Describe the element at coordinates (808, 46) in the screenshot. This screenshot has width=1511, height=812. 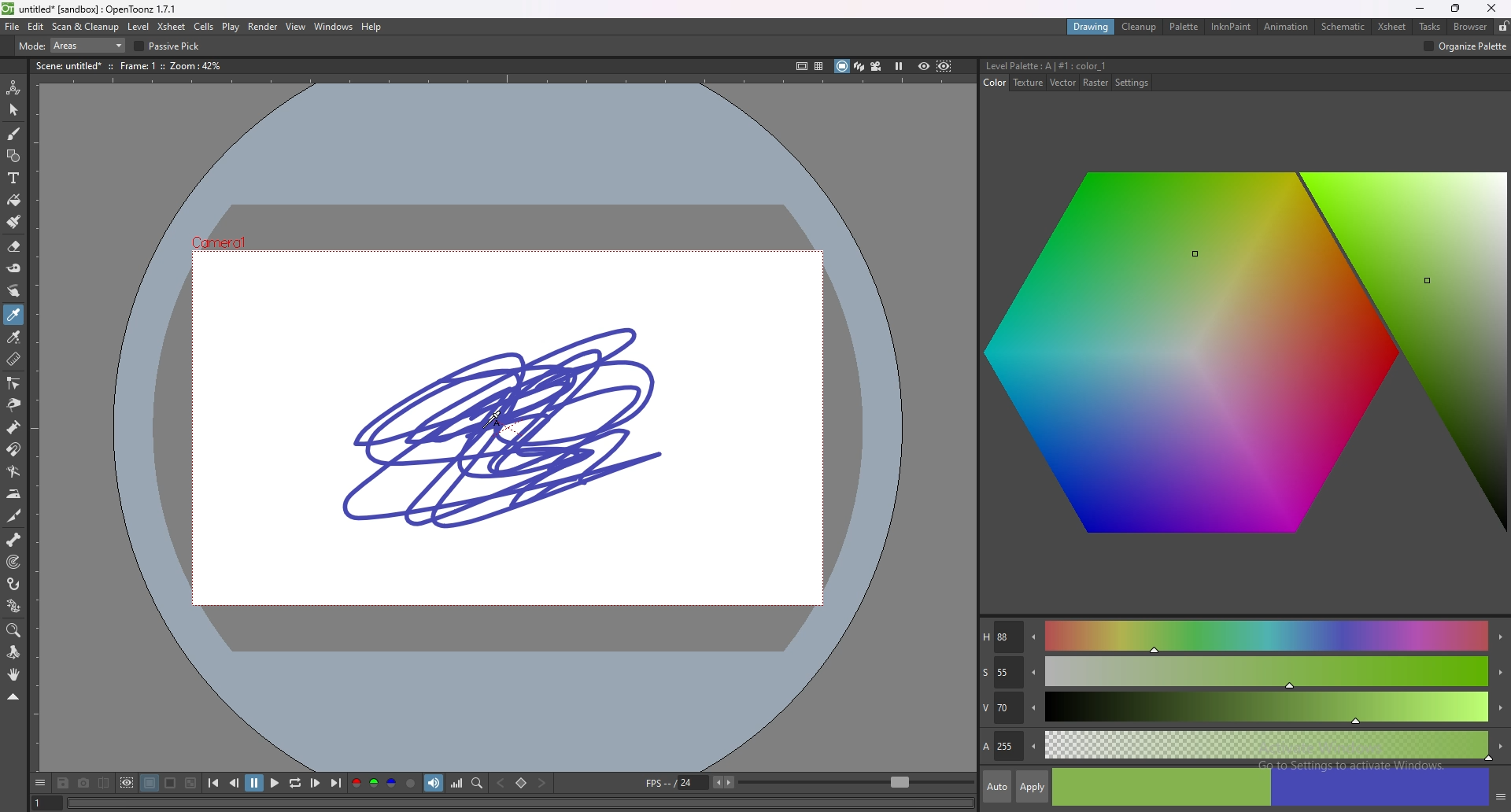
I see `rotation` at that location.